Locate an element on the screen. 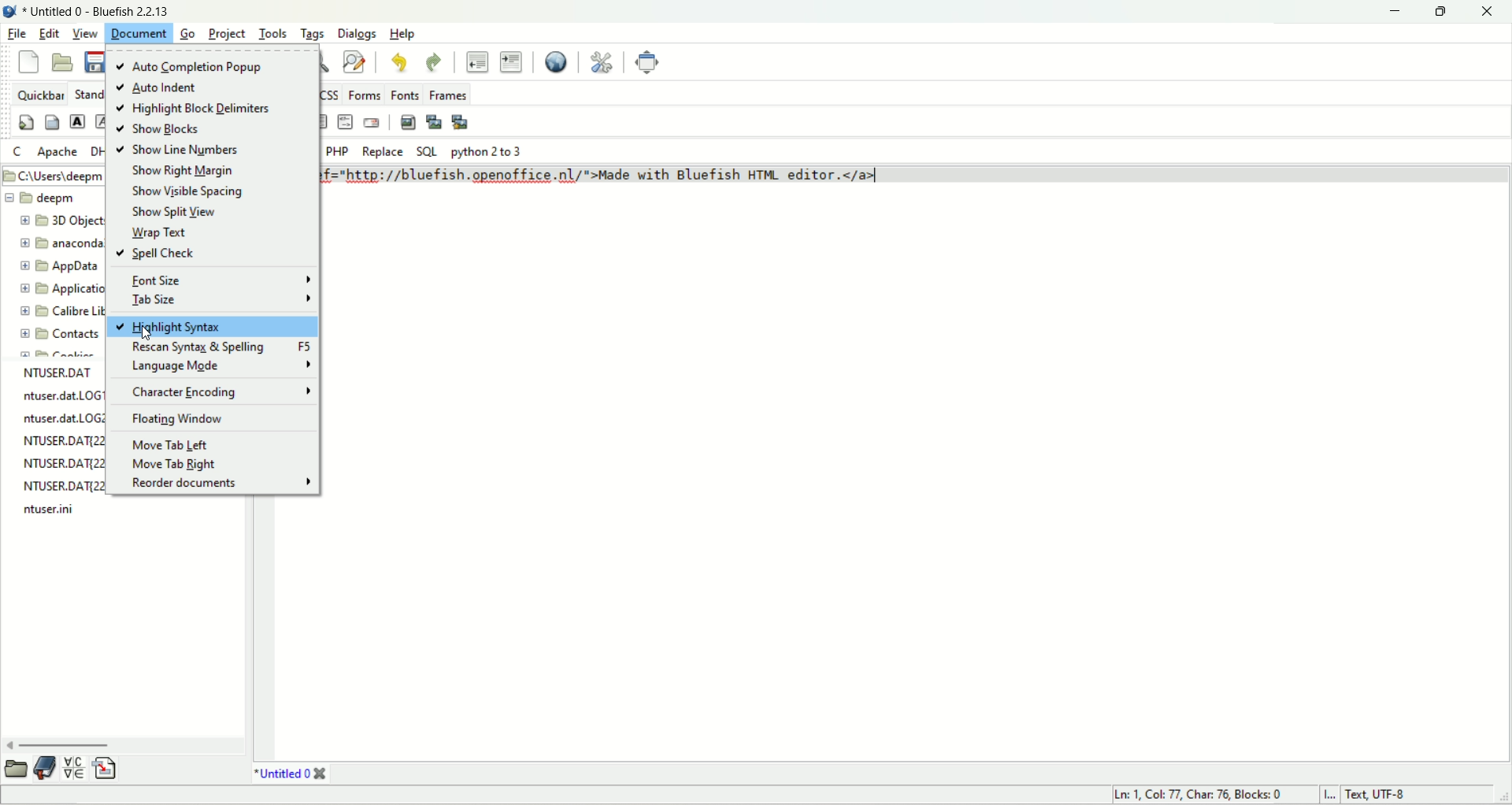 The height and width of the screenshot is (805, 1512). unindent is located at coordinates (477, 60).